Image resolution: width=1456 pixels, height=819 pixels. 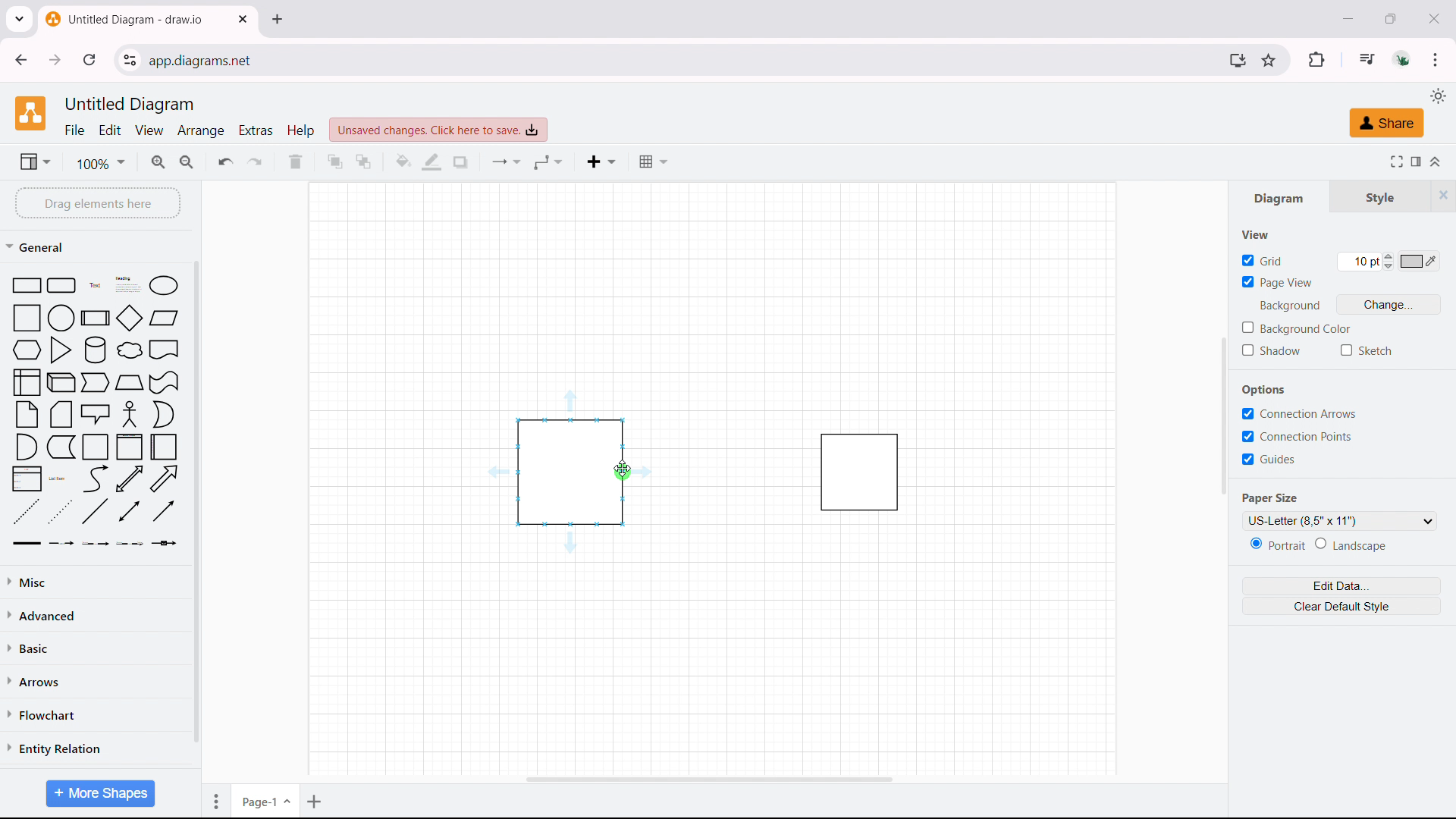 I want to click on waypoints, so click(x=548, y=162).